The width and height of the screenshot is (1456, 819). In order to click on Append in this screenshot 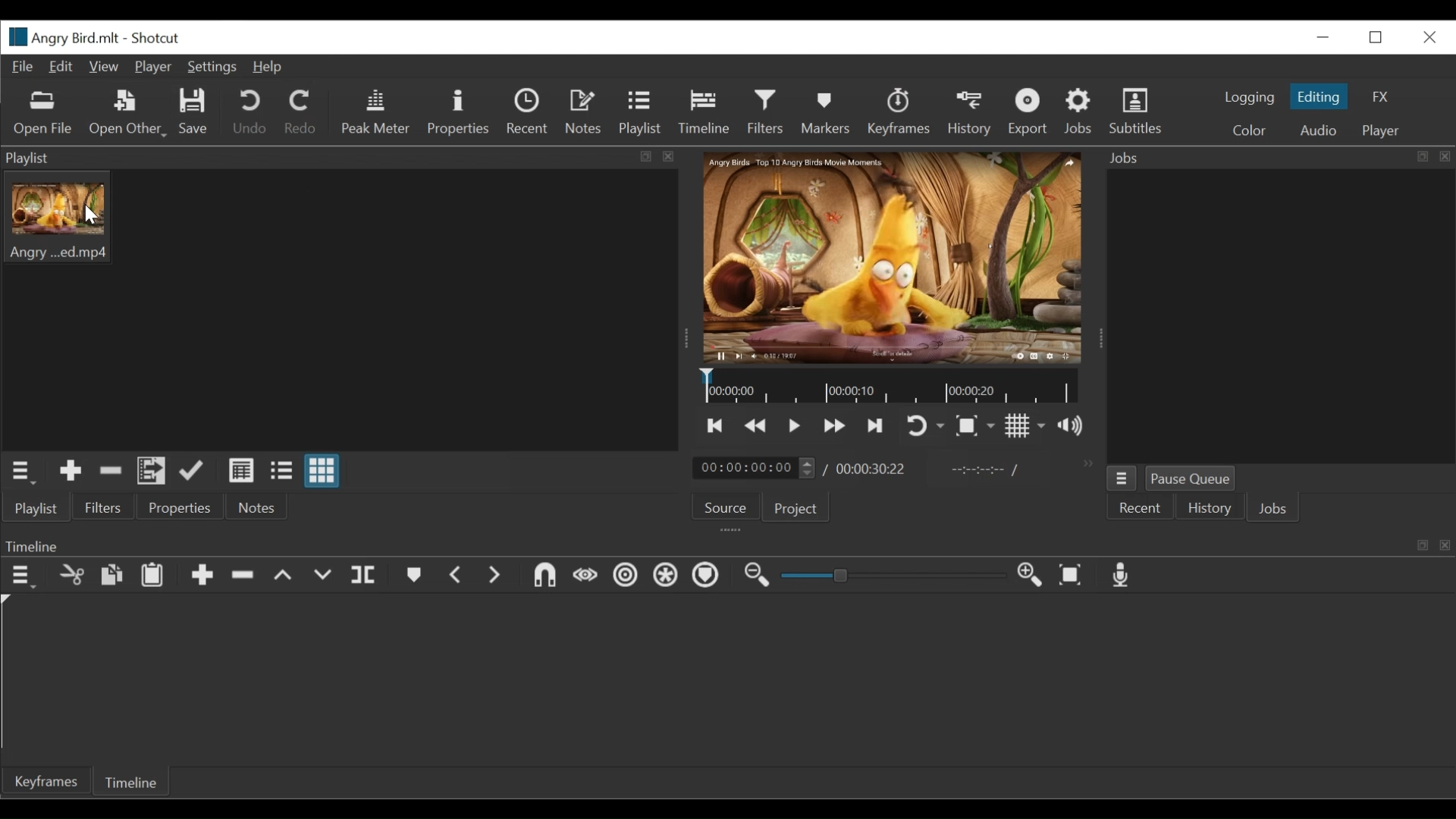, I will do `click(202, 575)`.